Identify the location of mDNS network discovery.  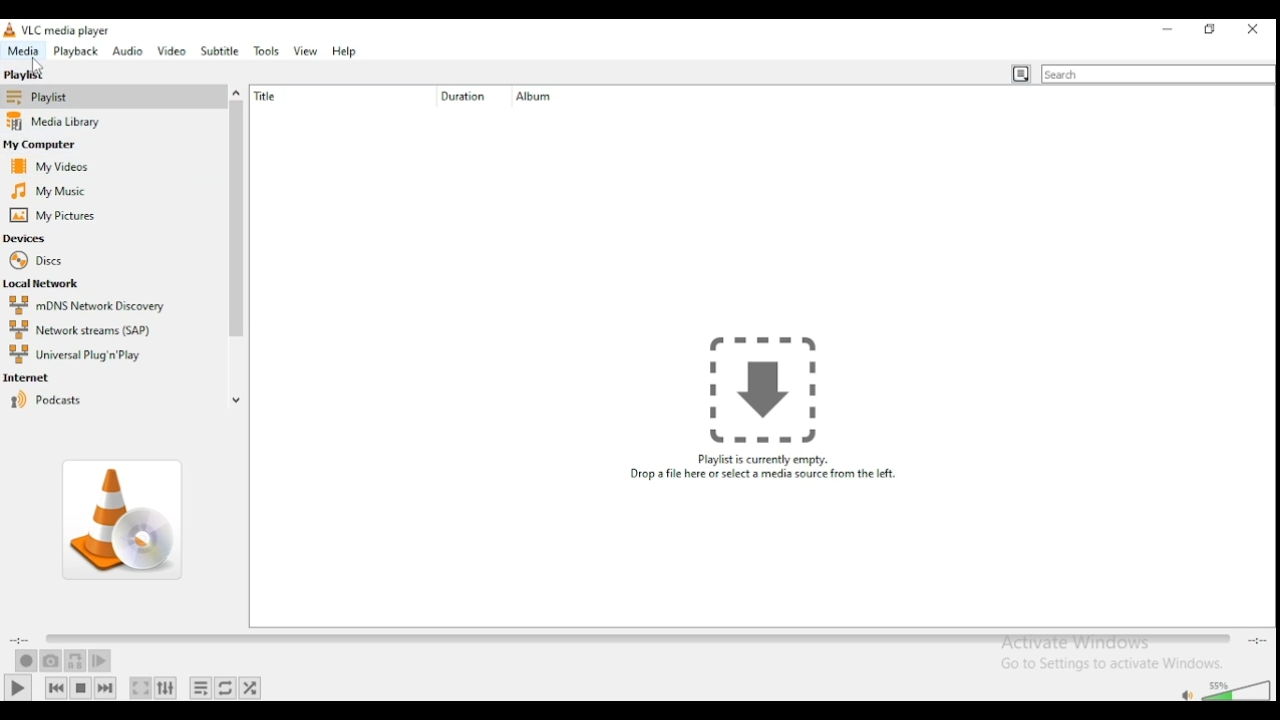
(94, 305).